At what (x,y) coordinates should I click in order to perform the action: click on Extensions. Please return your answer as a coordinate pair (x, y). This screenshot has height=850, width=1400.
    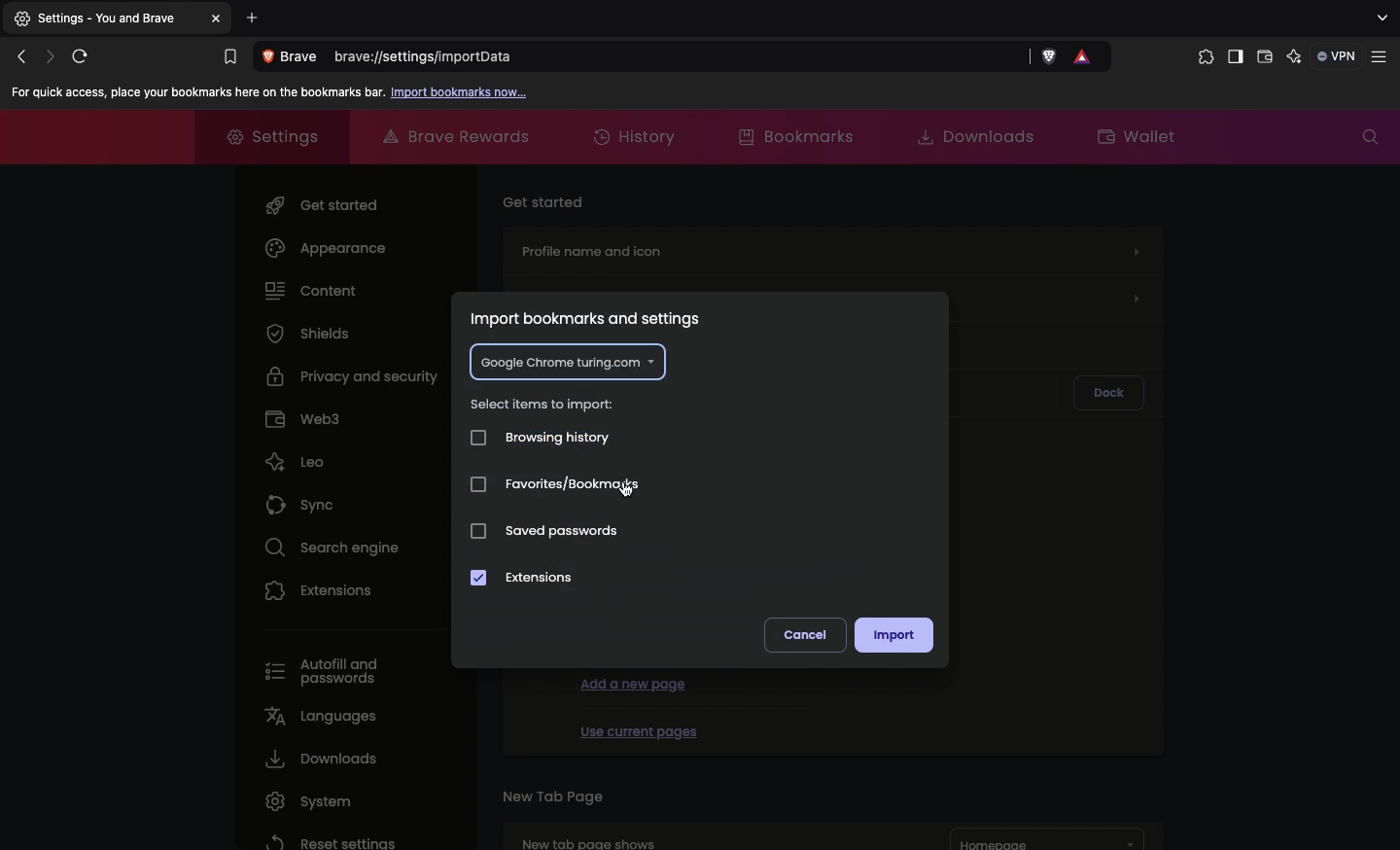
    Looking at the image, I should click on (529, 580).